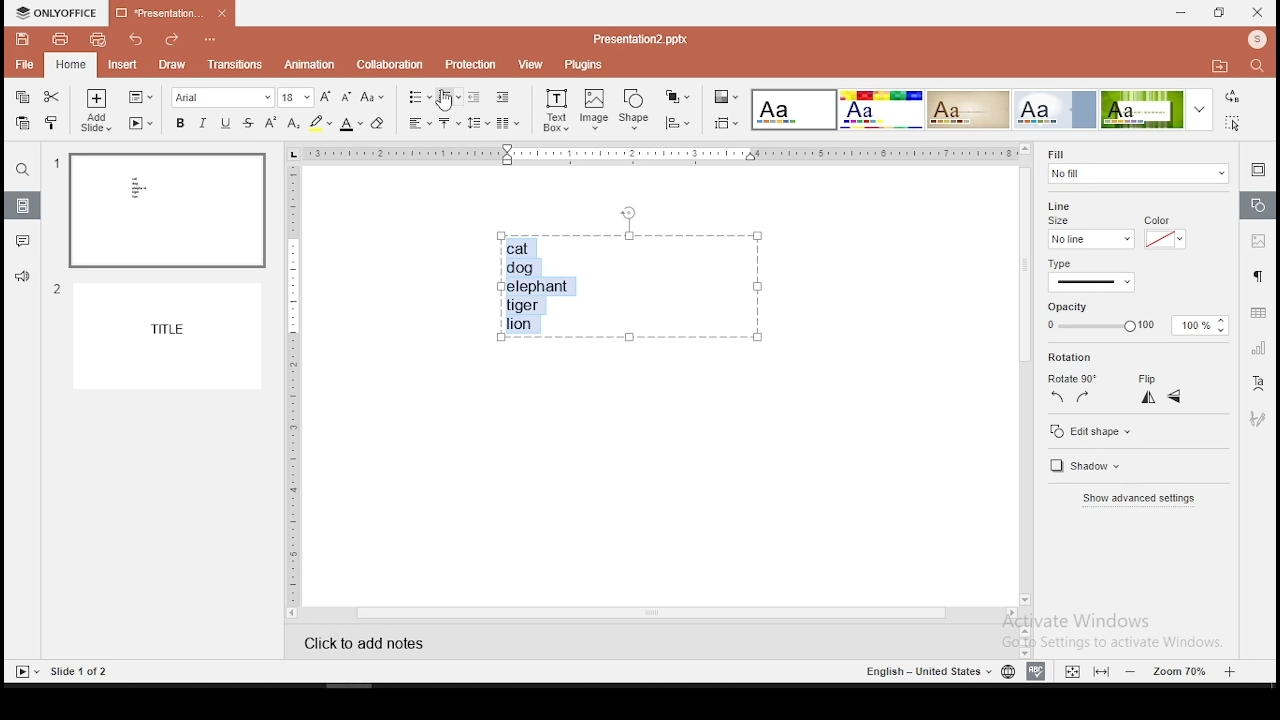 Image resolution: width=1280 pixels, height=720 pixels. Describe the element at coordinates (1056, 399) in the screenshot. I see `left` at that location.